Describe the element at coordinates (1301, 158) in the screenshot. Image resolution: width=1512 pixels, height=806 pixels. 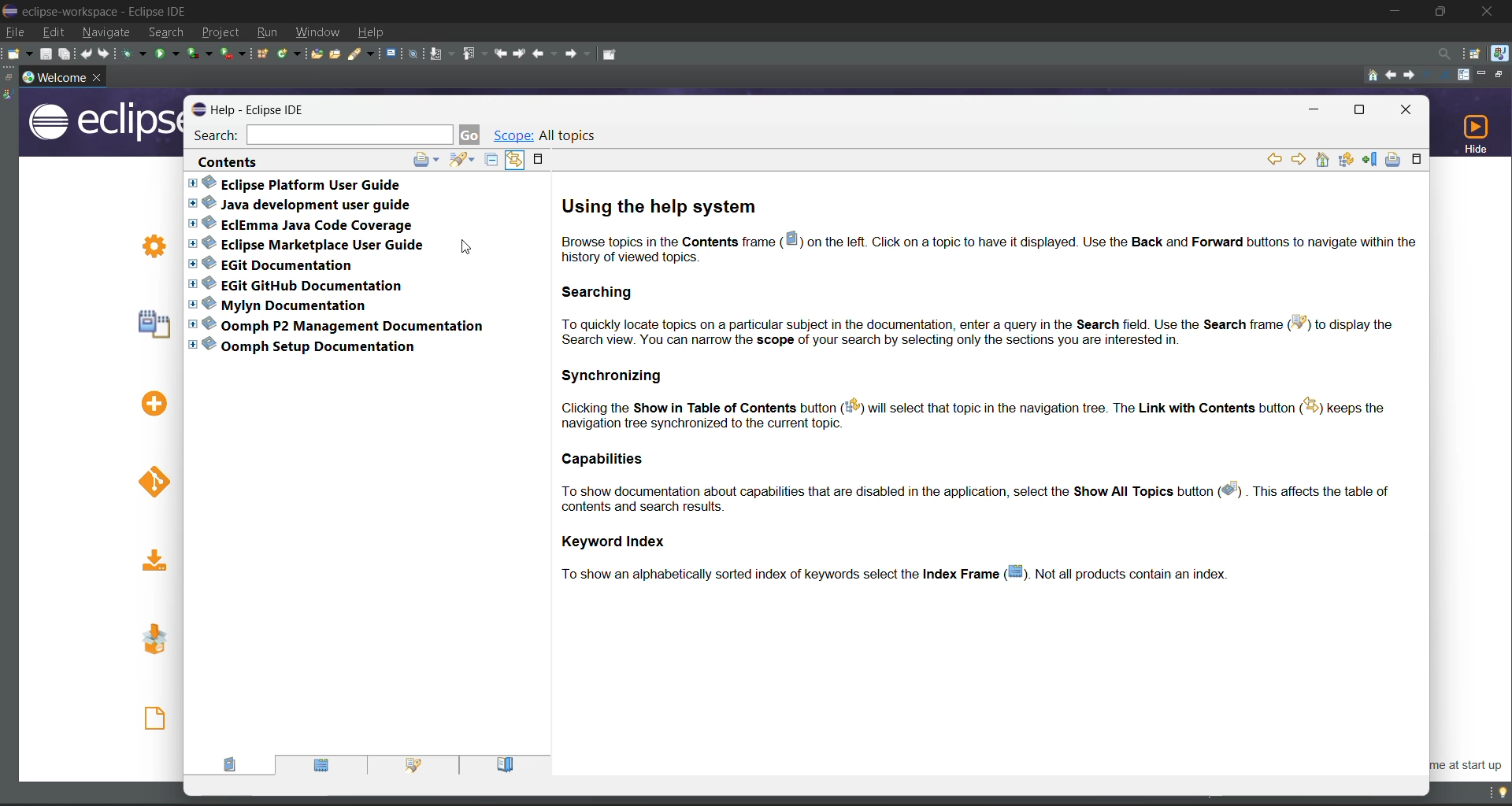
I see `go forward` at that location.